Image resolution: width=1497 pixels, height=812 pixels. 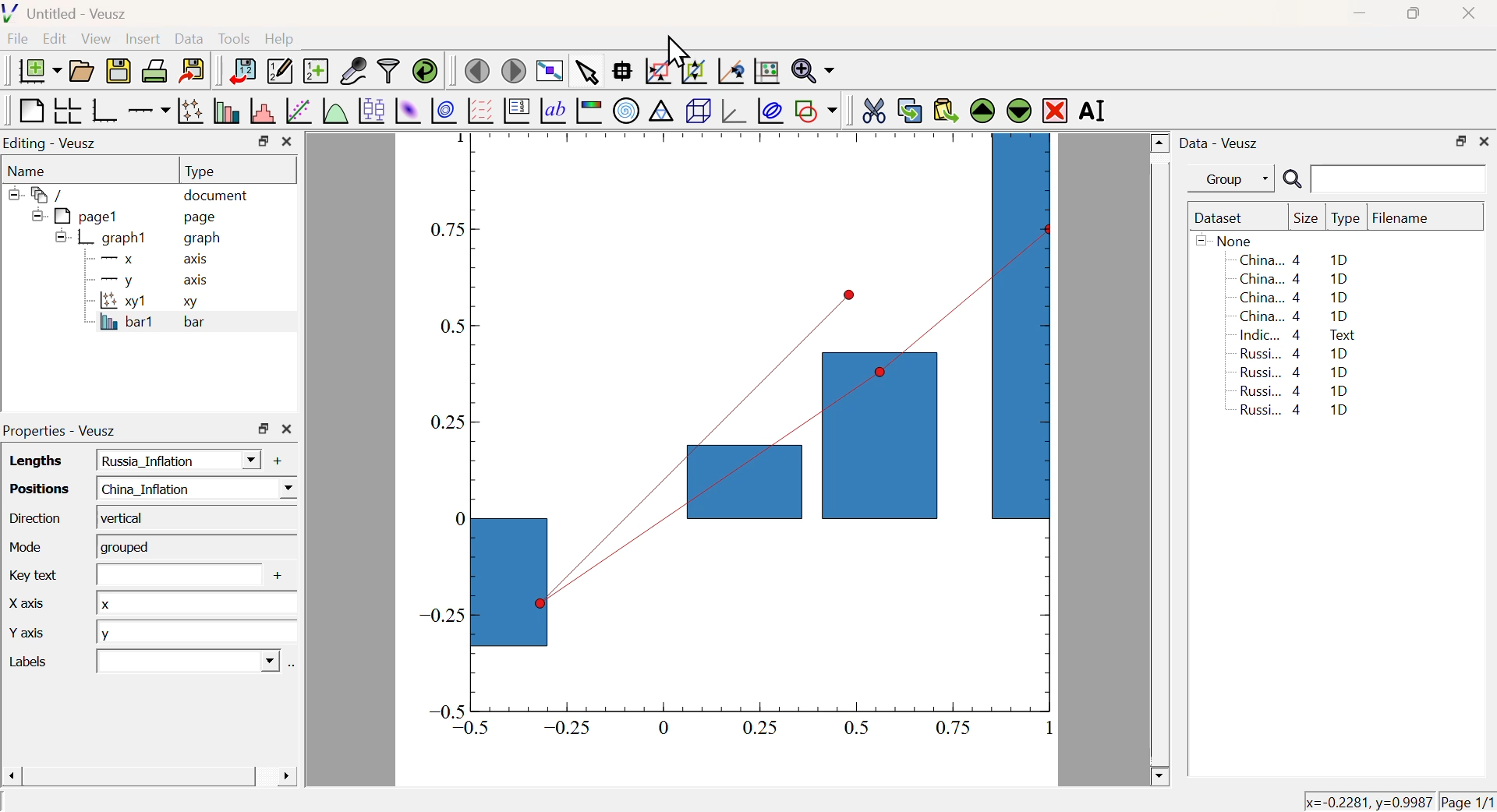 I want to click on Cursor, so click(x=675, y=51).